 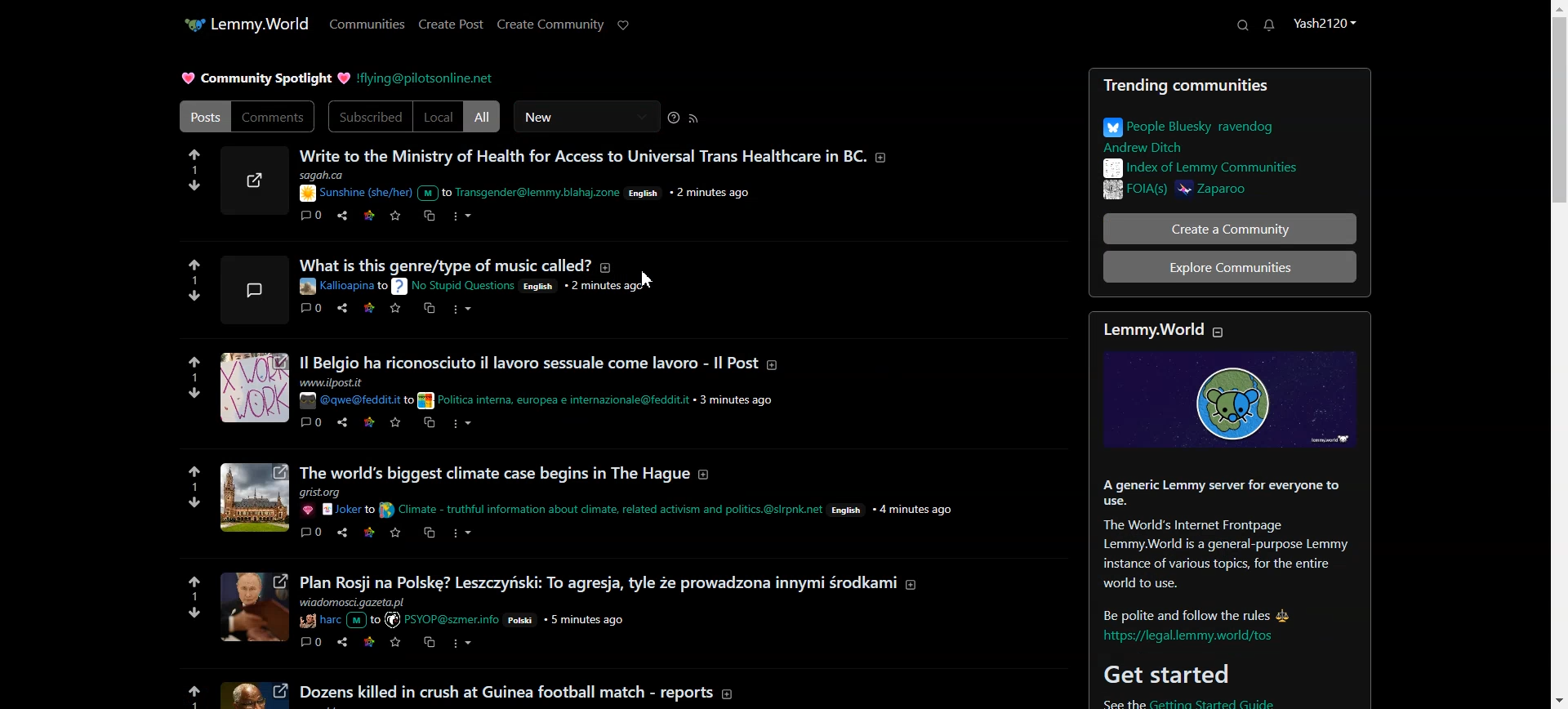 What do you see at coordinates (552, 399) in the screenshot?
I see `text` at bounding box center [552, 399].